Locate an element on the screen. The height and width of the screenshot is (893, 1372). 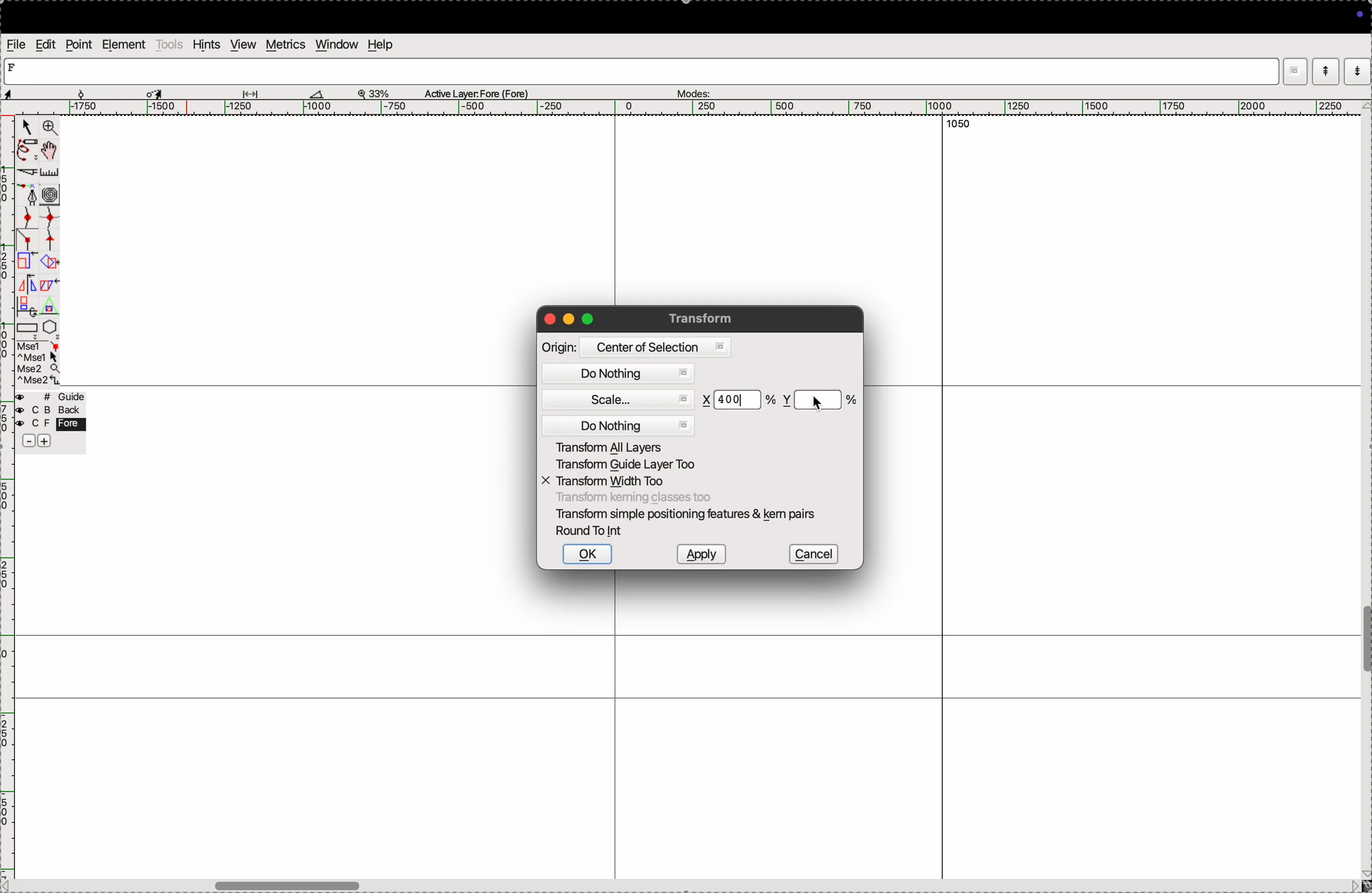
modes is located at coordinates (692, 91).